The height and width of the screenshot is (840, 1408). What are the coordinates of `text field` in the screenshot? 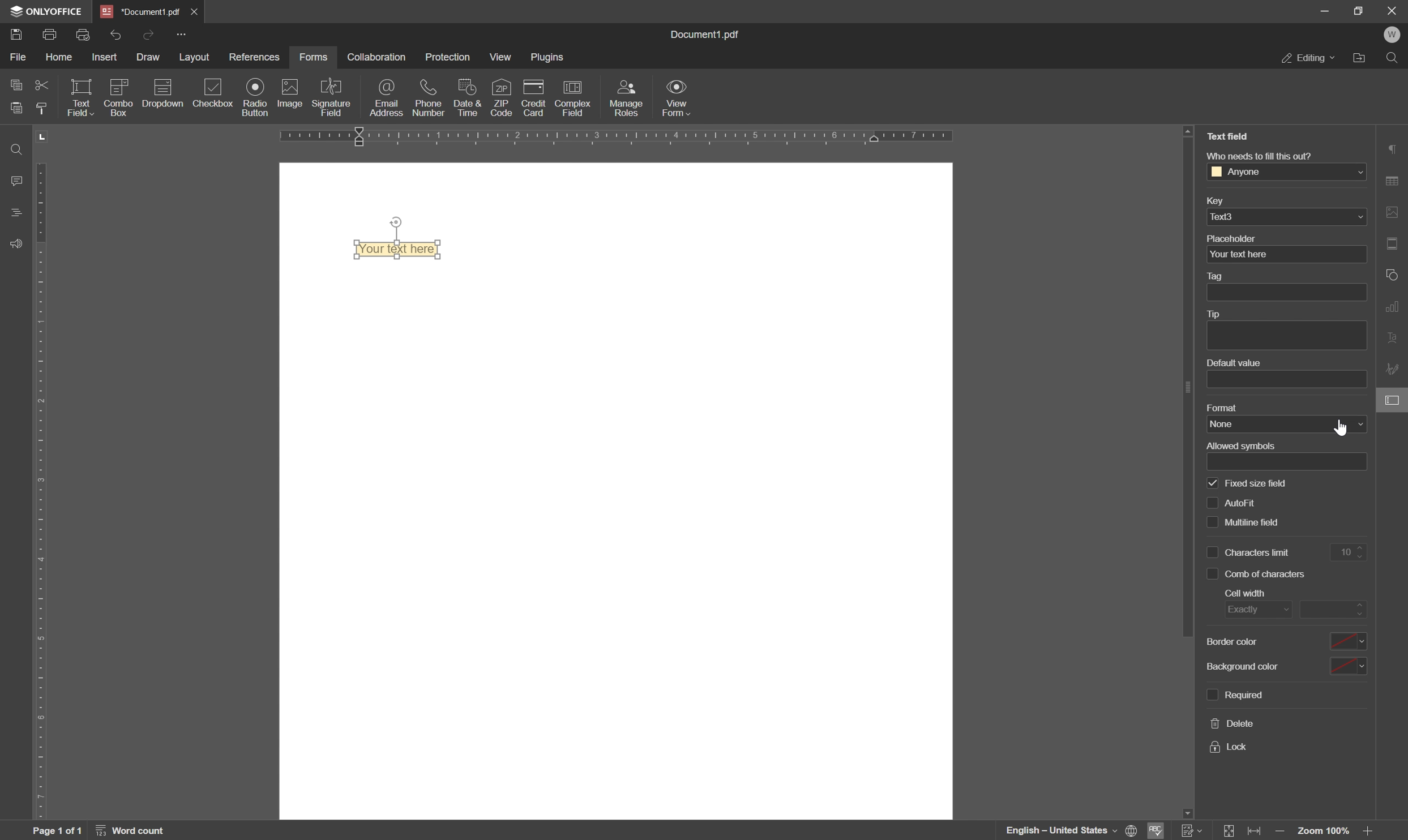 It's located at (1228, 136).